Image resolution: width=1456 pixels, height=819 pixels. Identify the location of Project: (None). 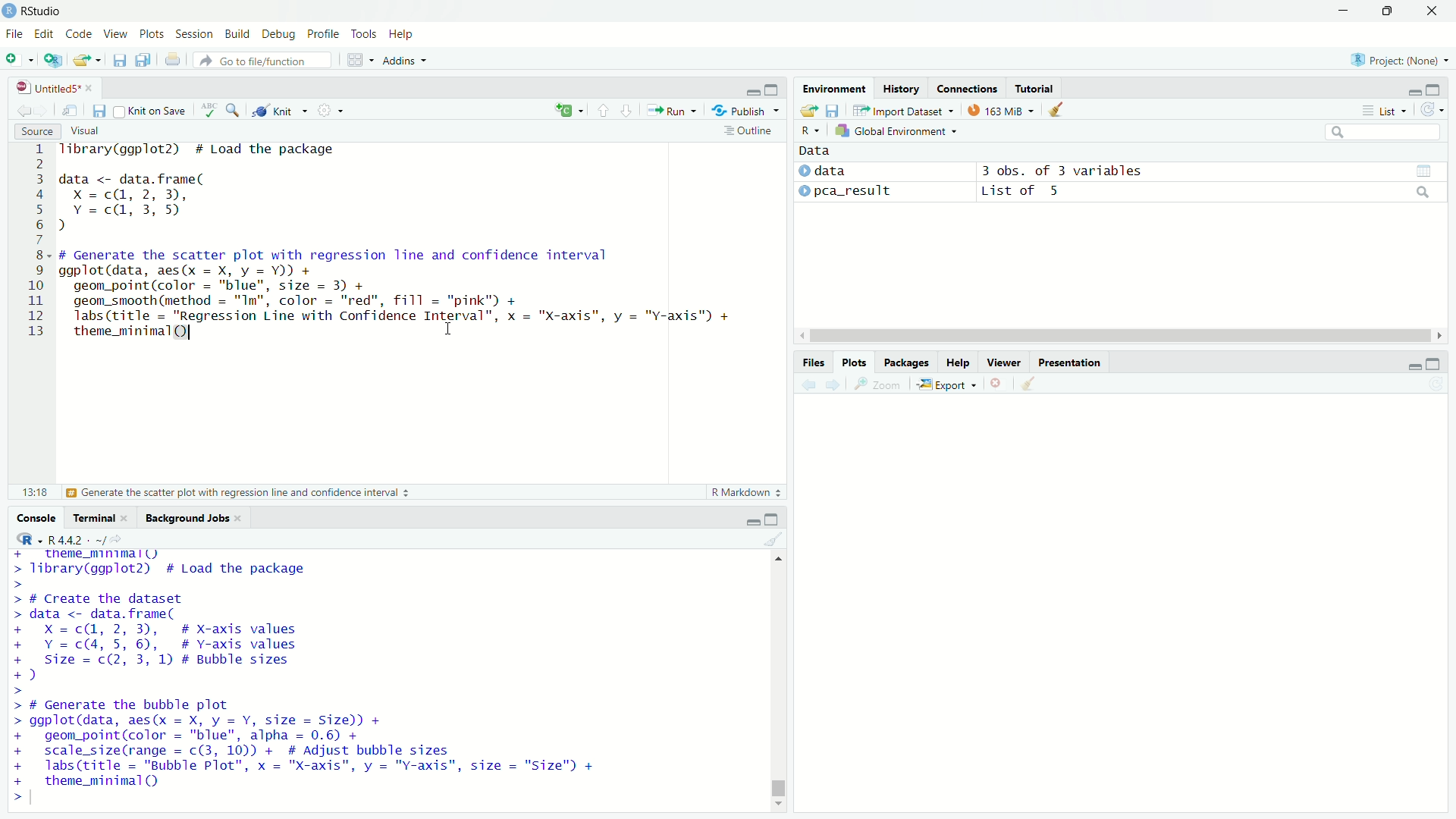
(1398, 59).